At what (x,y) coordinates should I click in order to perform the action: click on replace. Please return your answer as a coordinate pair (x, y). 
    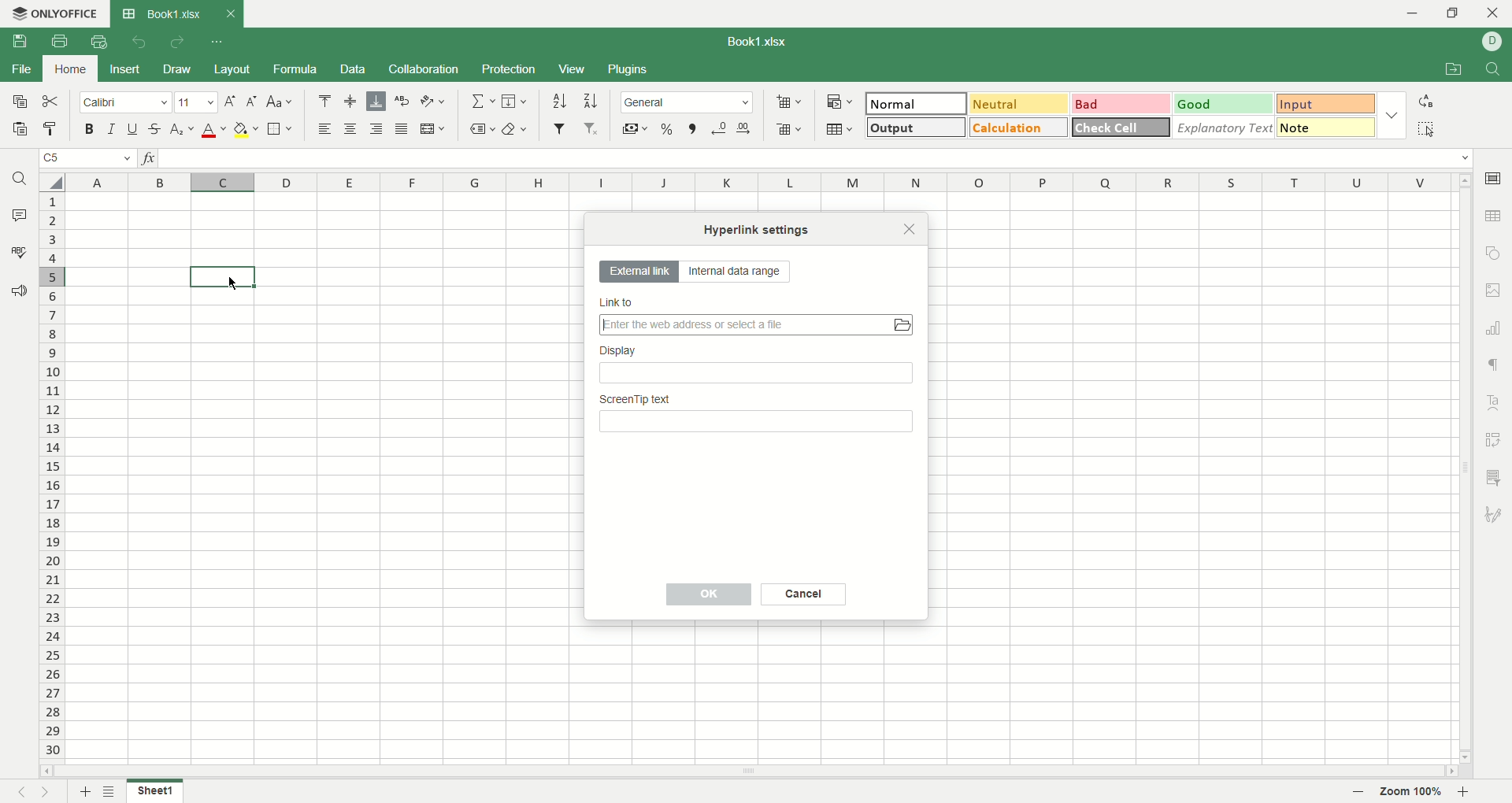
    Looking at the image, I should click on (1426, 101).